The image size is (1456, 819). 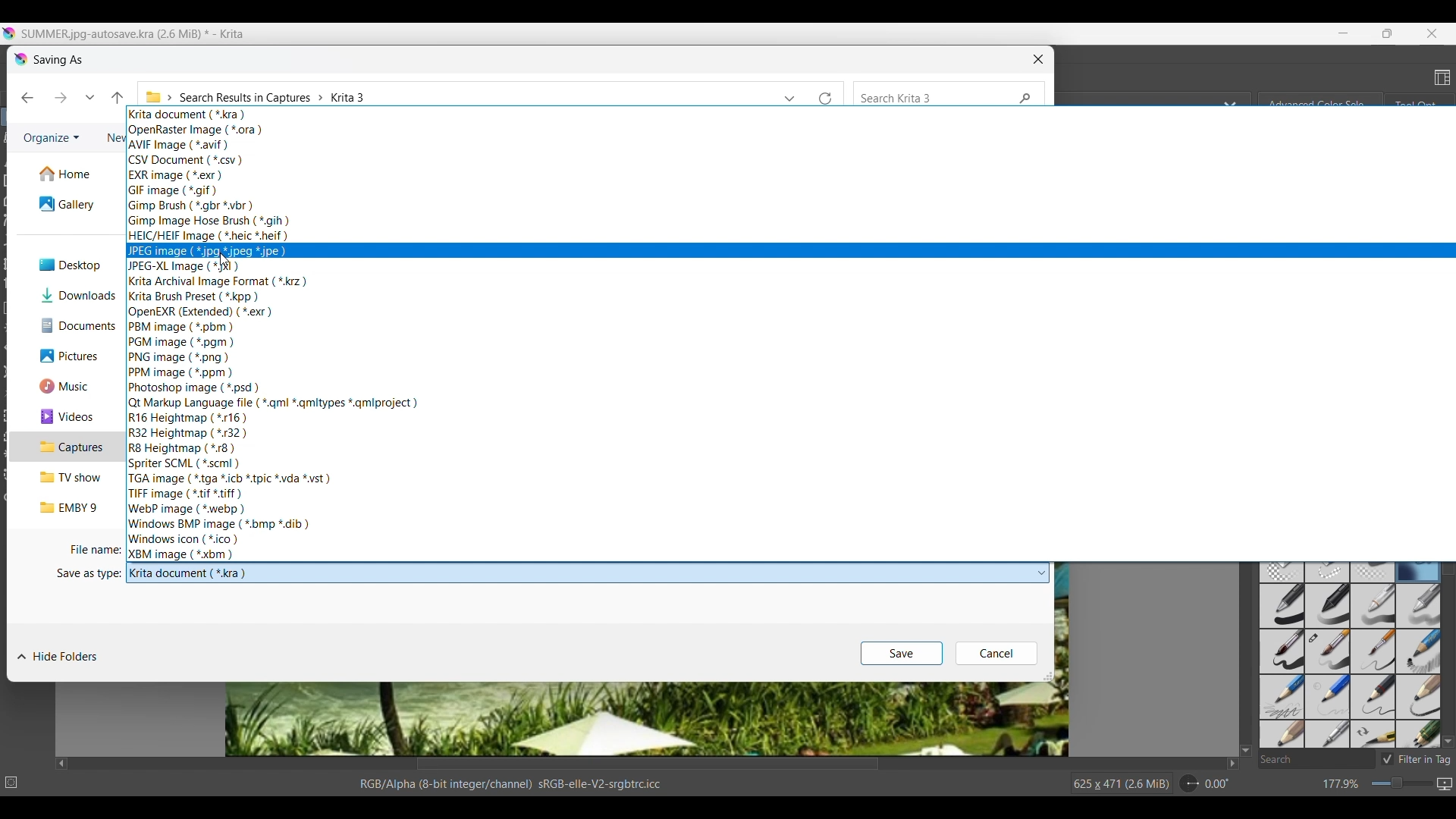 What do you see at coordinates (996, 654) in the screenshot?
I see `Cancel inputs made` at bounding box center [996, 654].